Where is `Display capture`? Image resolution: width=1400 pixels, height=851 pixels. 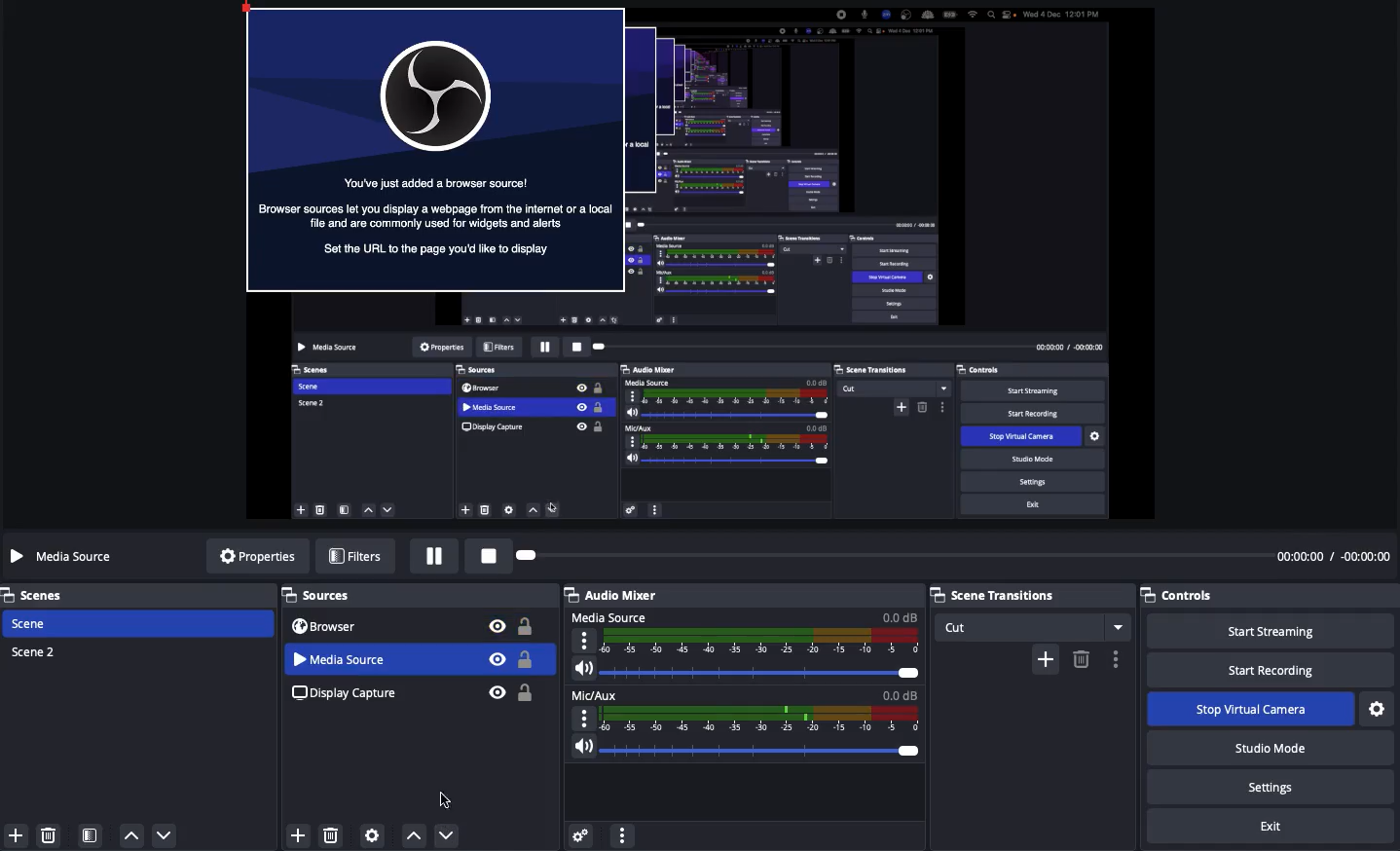
Display capture is located at coordinates (348, 693).